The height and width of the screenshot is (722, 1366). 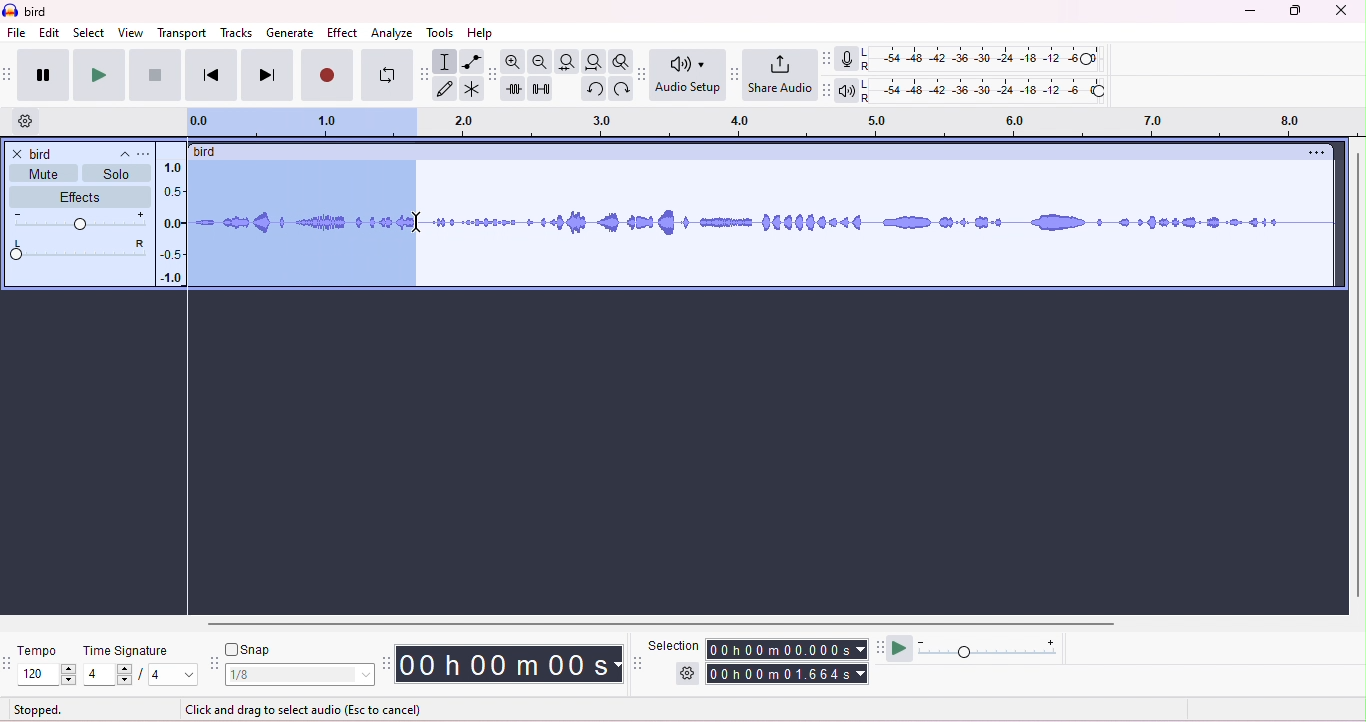 What do you see at coordinates (327, 710) in the screenshot?
I see `click and drag to select audio (snapping) (Esc to cancel)` at bounding box center [327, 710].